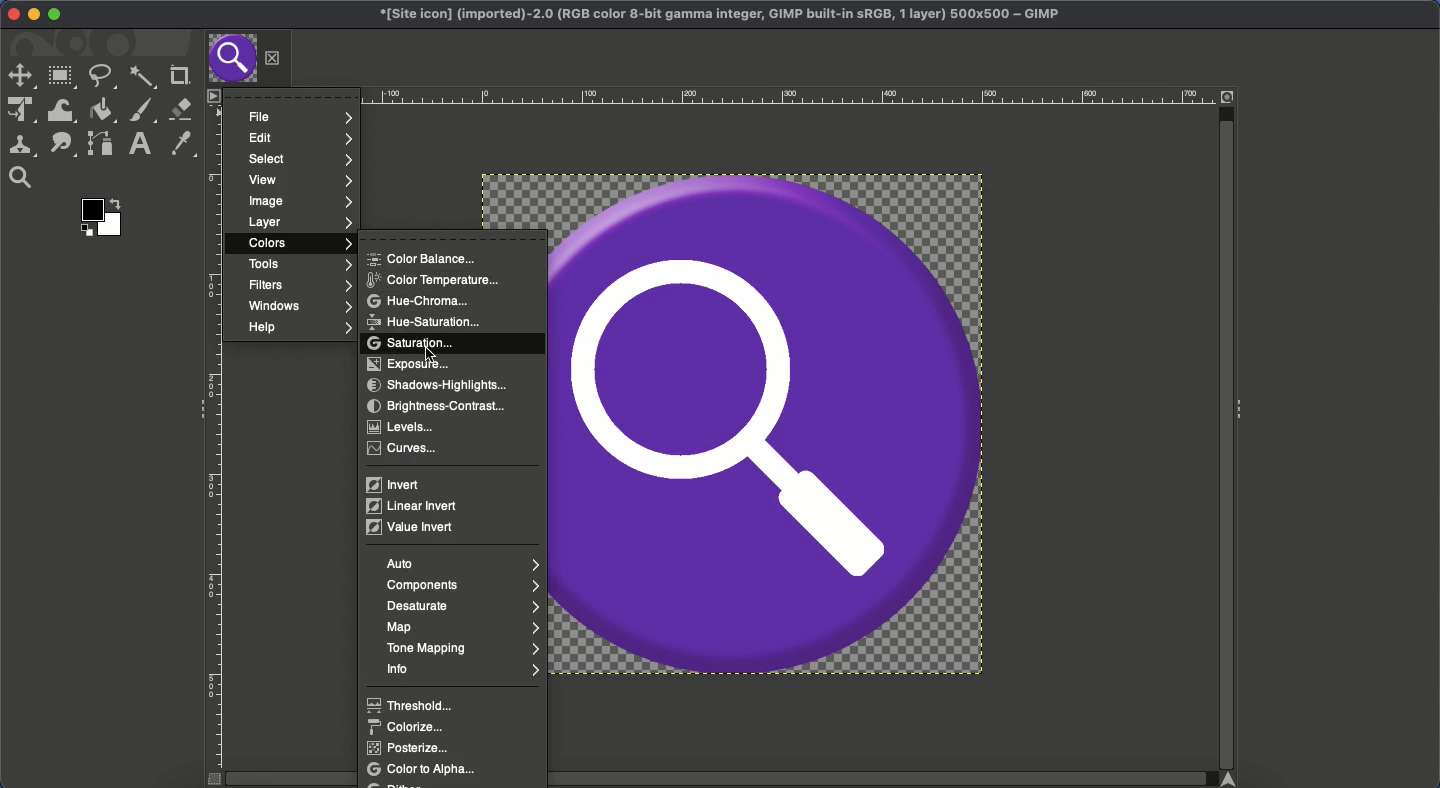  Describe the element at coordinates (298, 160) in the screenshot. I see `Select` at that location.